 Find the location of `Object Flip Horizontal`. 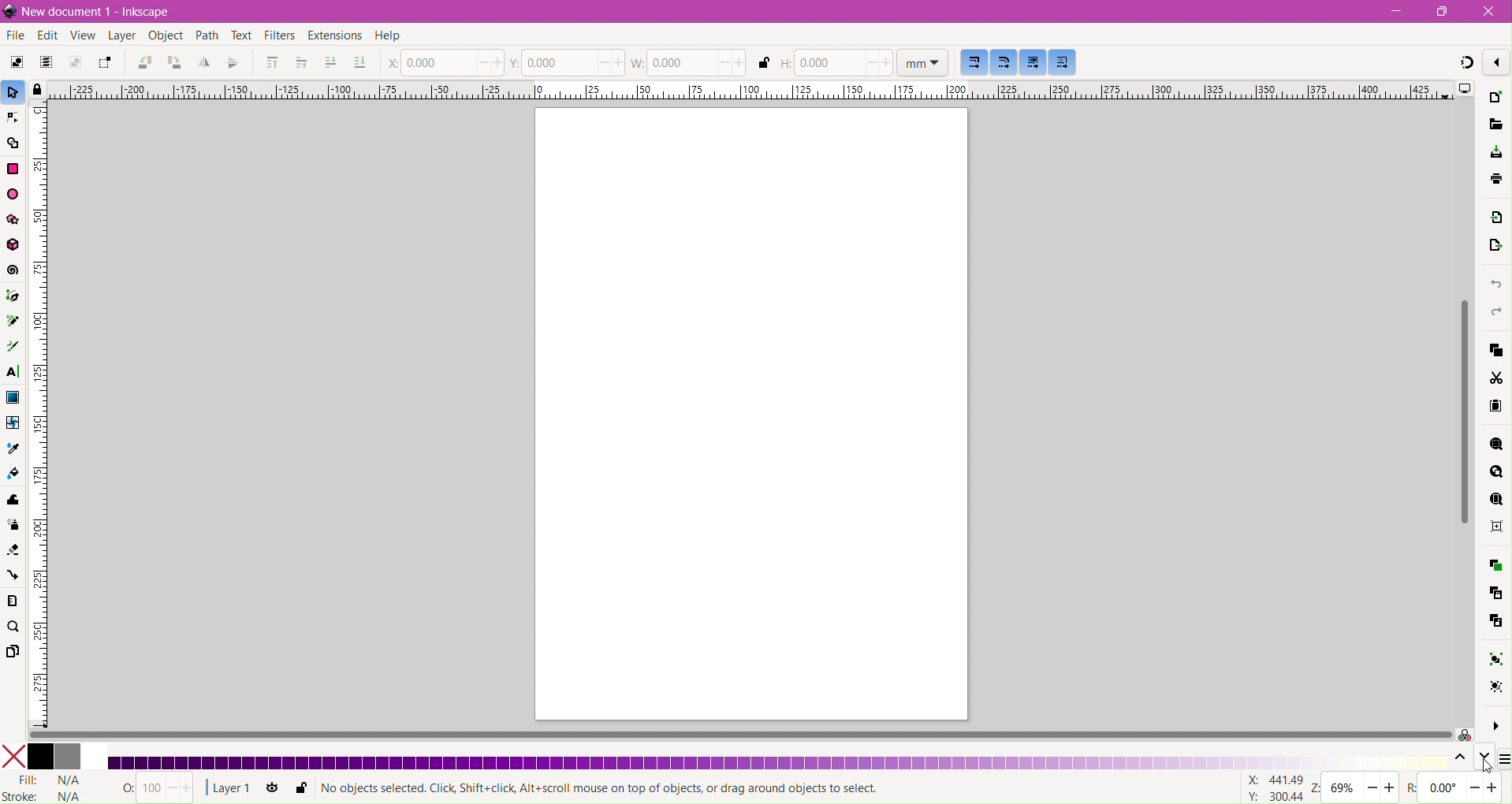

Object Flip Horizontal is located at coordinates (203, 65).